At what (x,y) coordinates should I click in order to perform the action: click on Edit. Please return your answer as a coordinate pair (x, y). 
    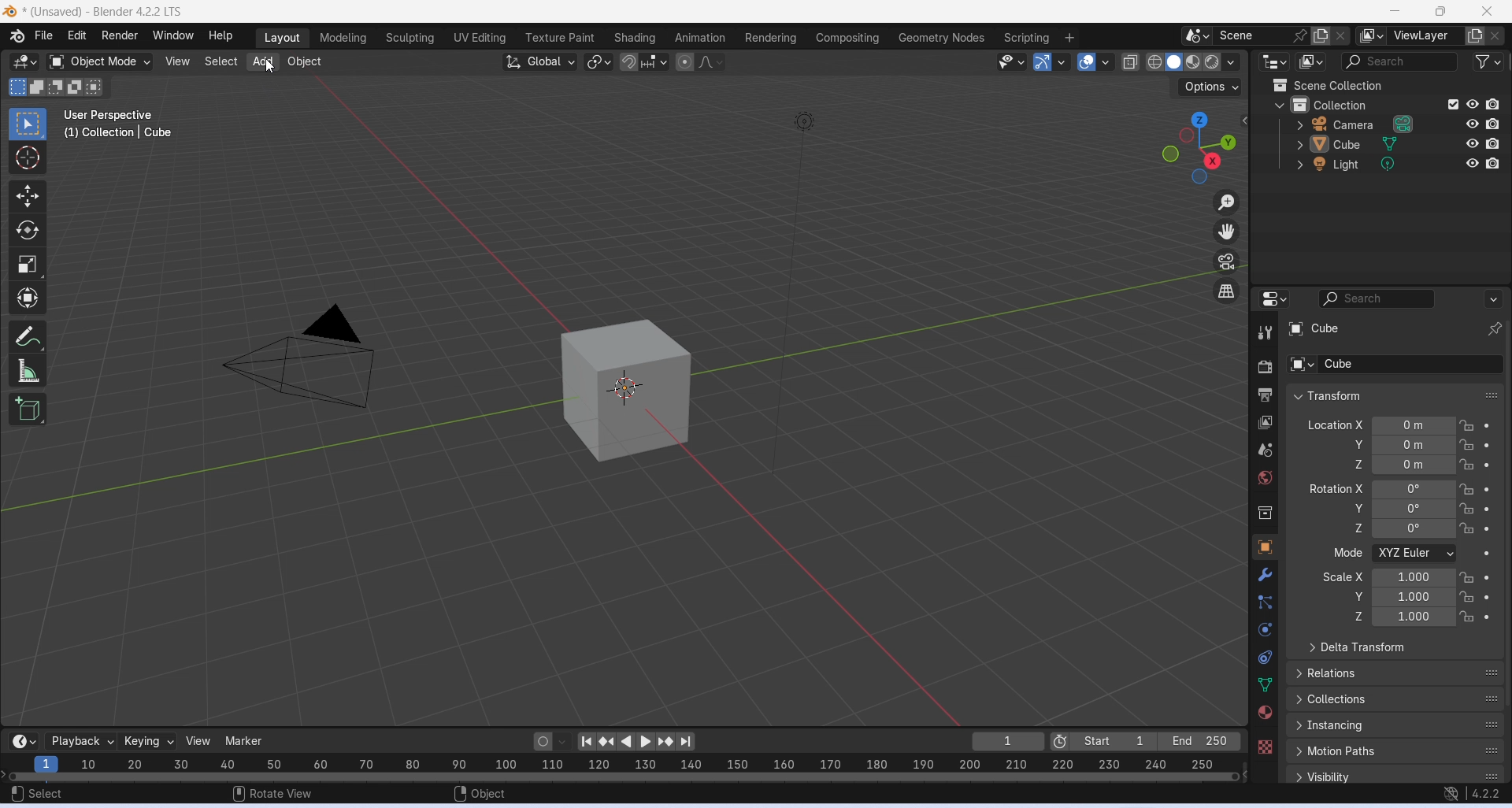
    Looking at the image, I should click on (77, 35).